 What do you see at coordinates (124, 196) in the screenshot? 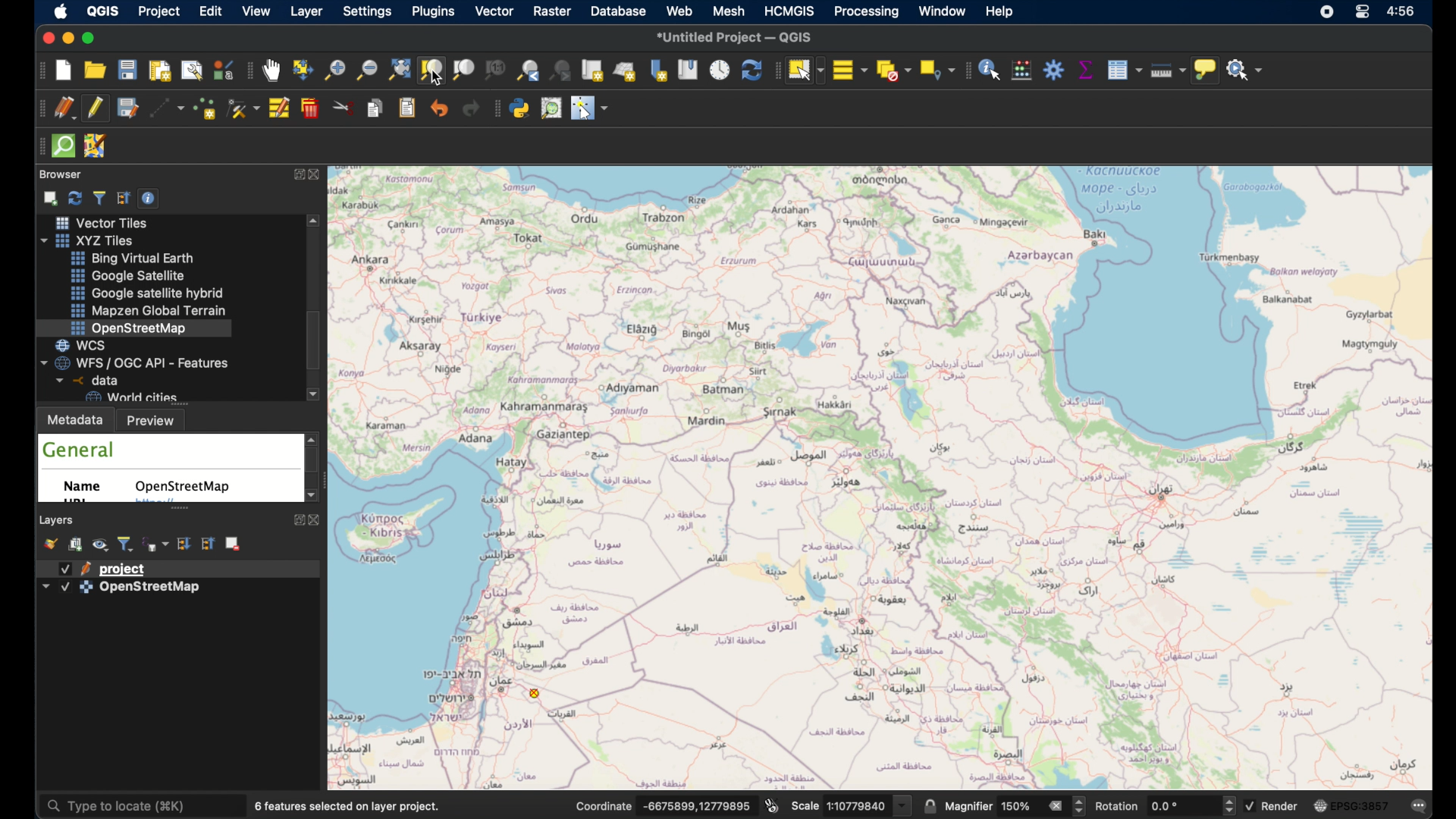
I see `collapse all ` at bounding box center [124, 196].